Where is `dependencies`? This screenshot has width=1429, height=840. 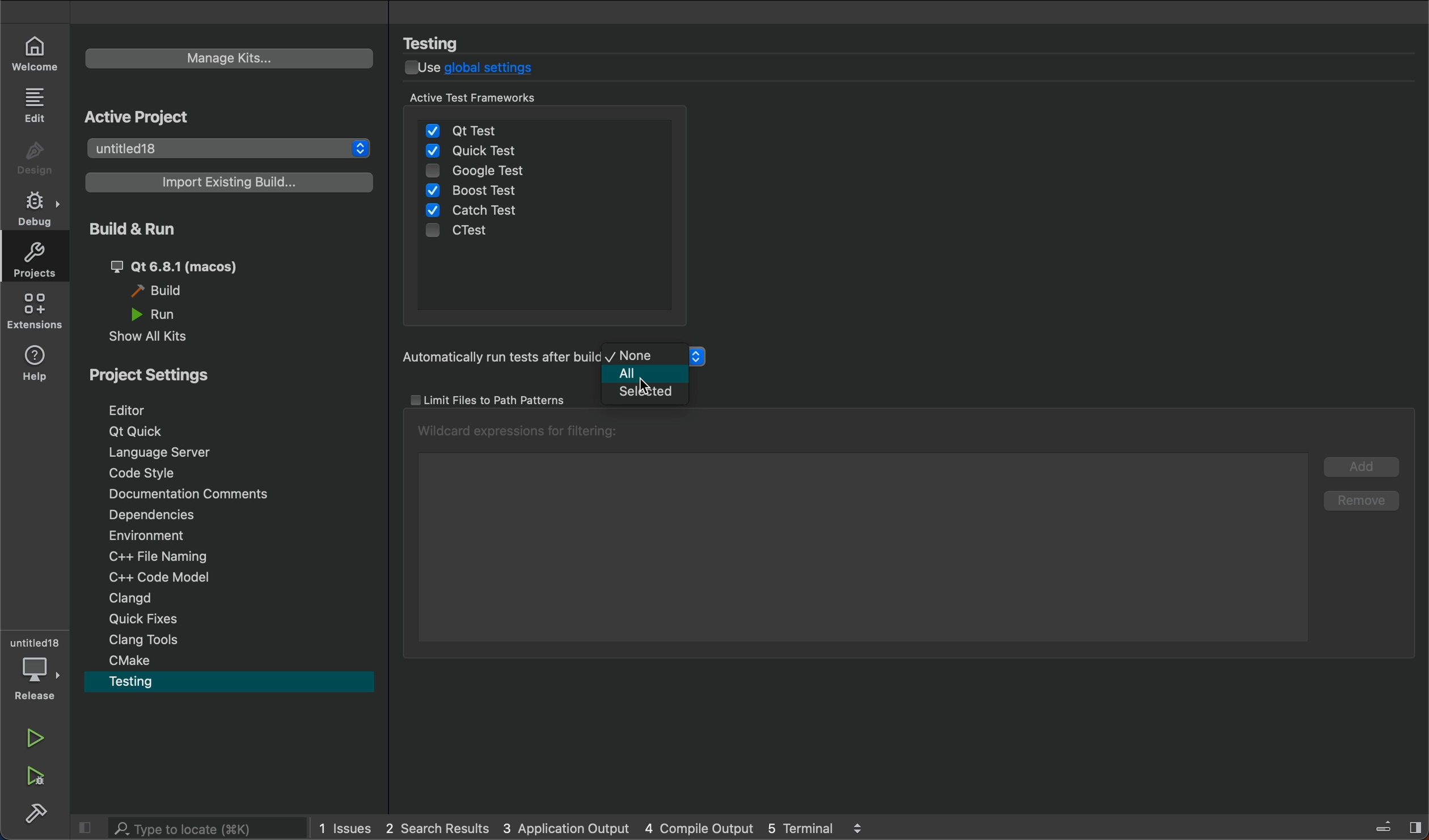
dependencies is located at coordinates (166, 514).